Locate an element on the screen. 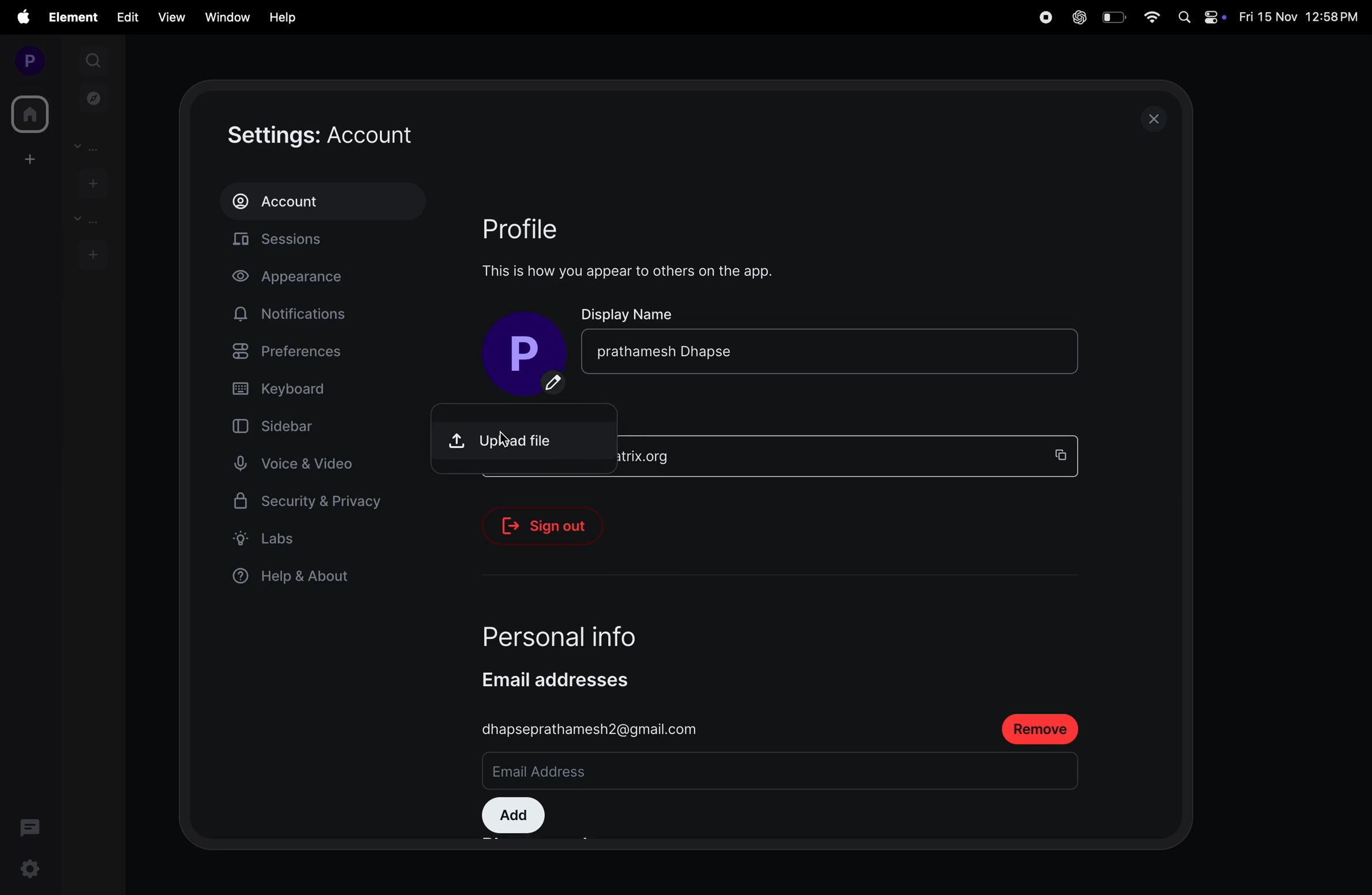 This screenshot has width=1372, height=895. name is located at coordinates (787, 349).